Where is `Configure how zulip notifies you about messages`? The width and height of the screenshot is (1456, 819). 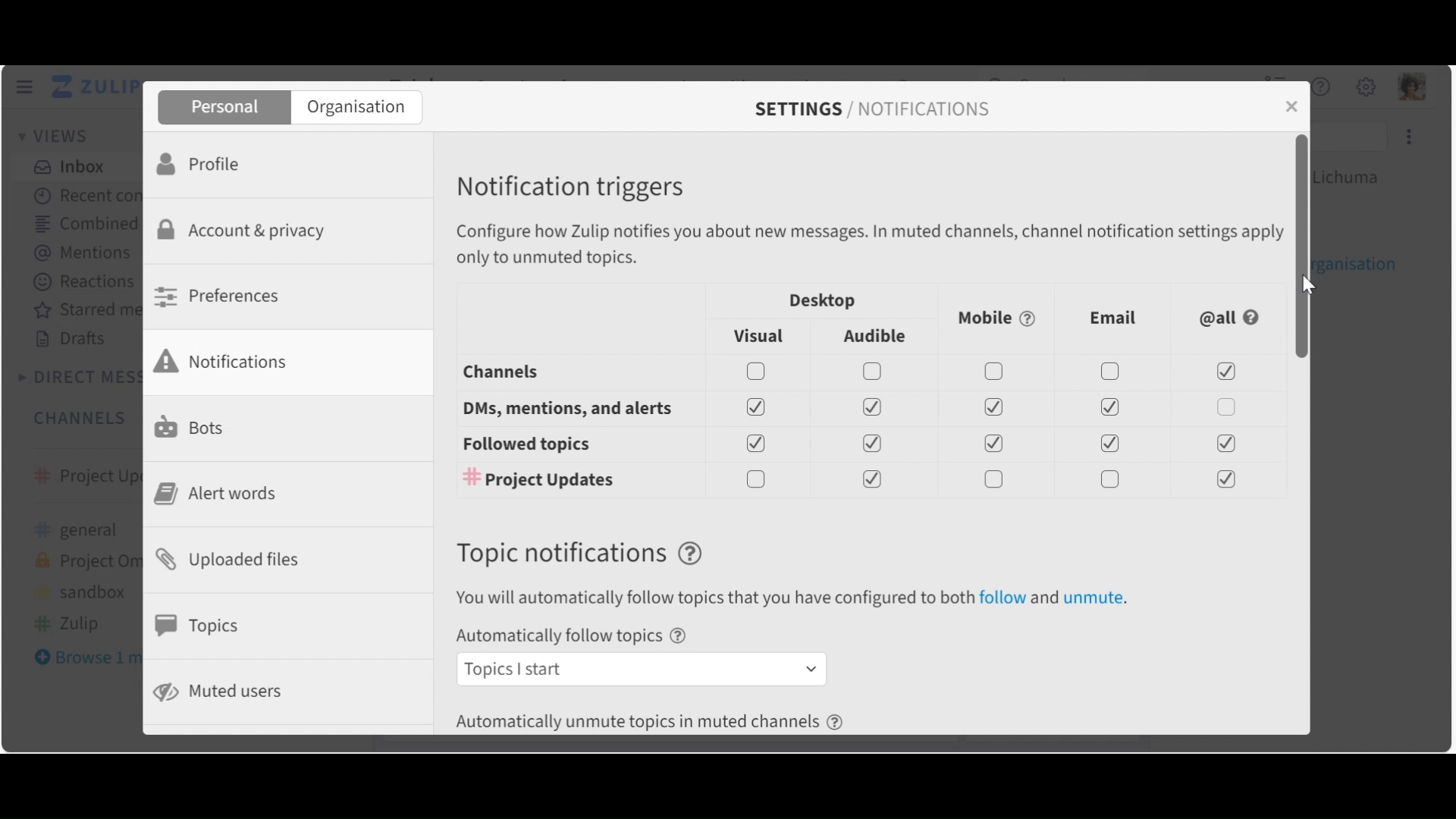 Configure how zulip notifies you about messages is located at coordinates (871, 244).